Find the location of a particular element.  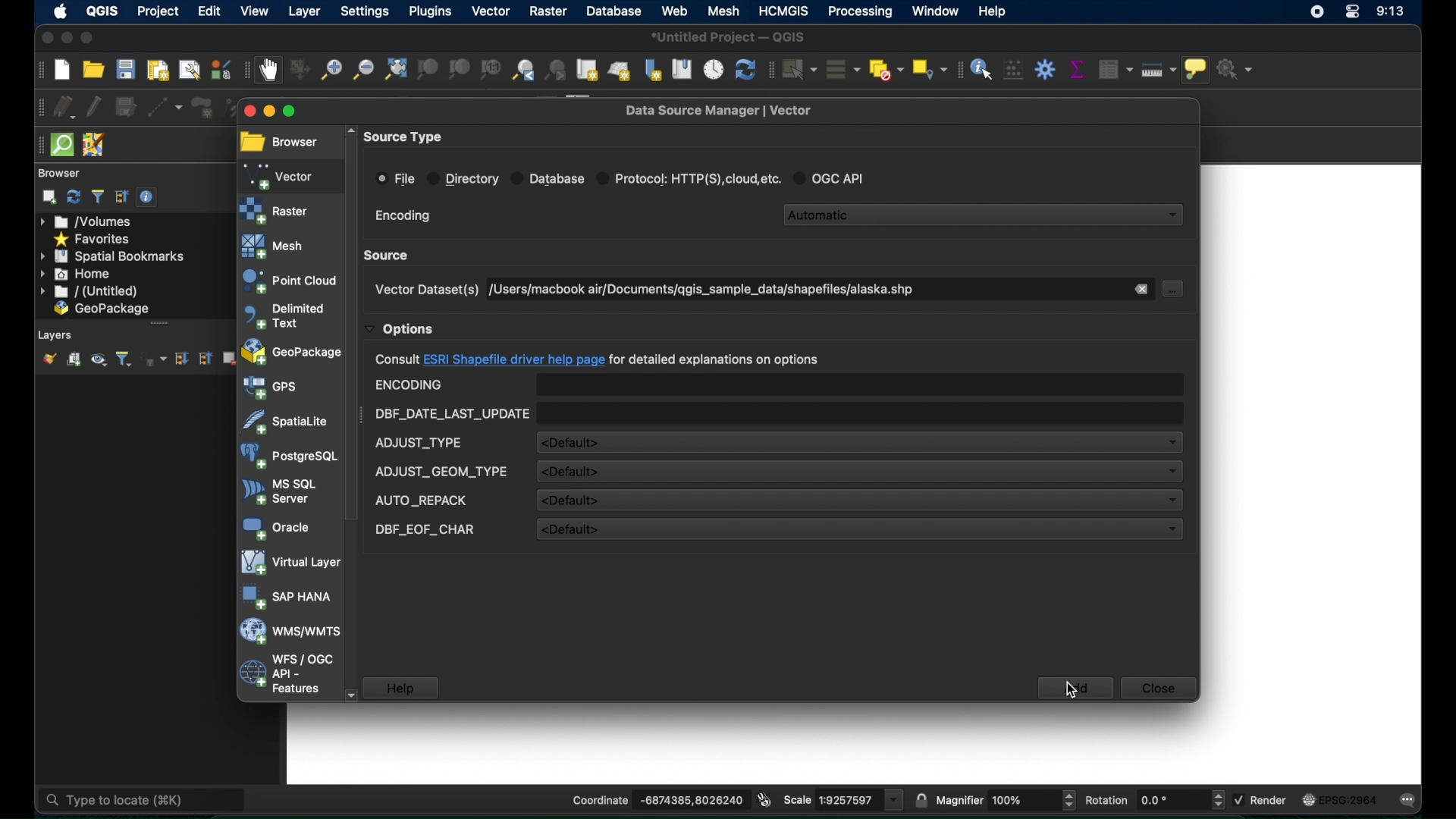

empty field is located at coordinates (861, 413).